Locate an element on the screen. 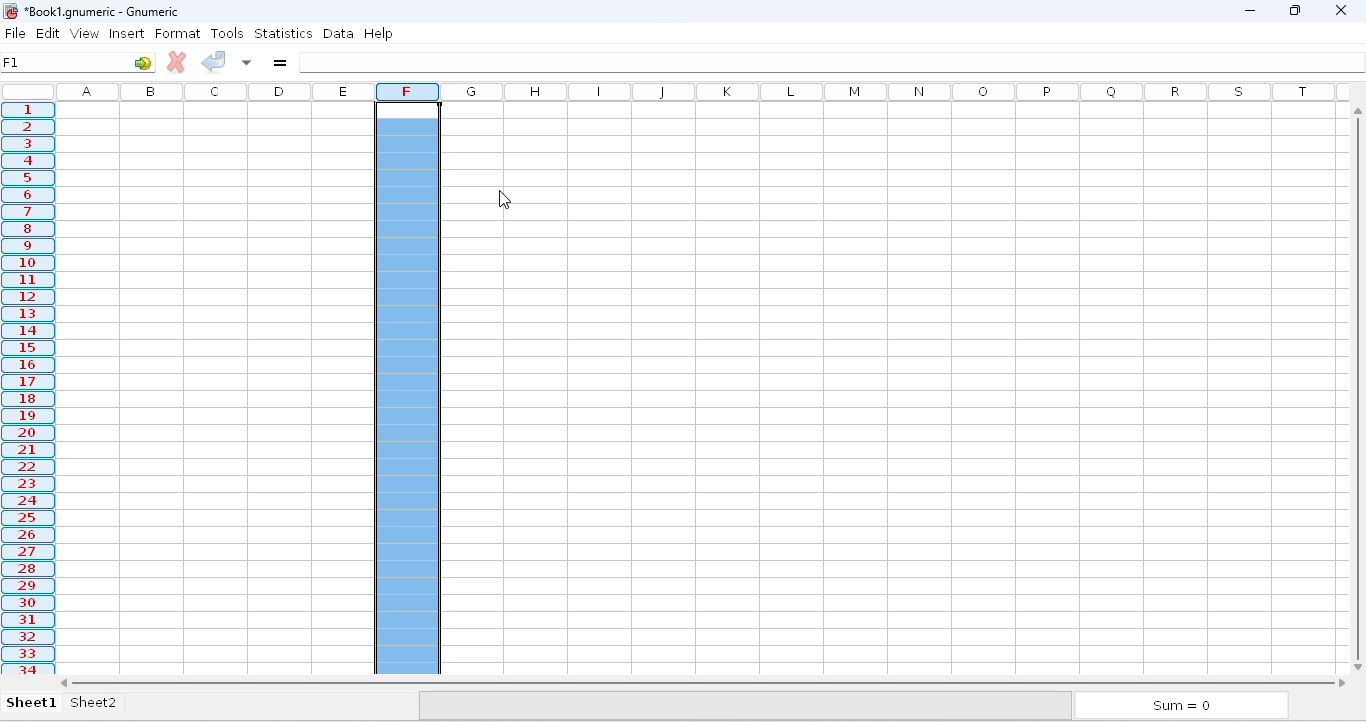 The width and height of the screenshot is (1366, 722). columns is located at coordinates (892, 93).